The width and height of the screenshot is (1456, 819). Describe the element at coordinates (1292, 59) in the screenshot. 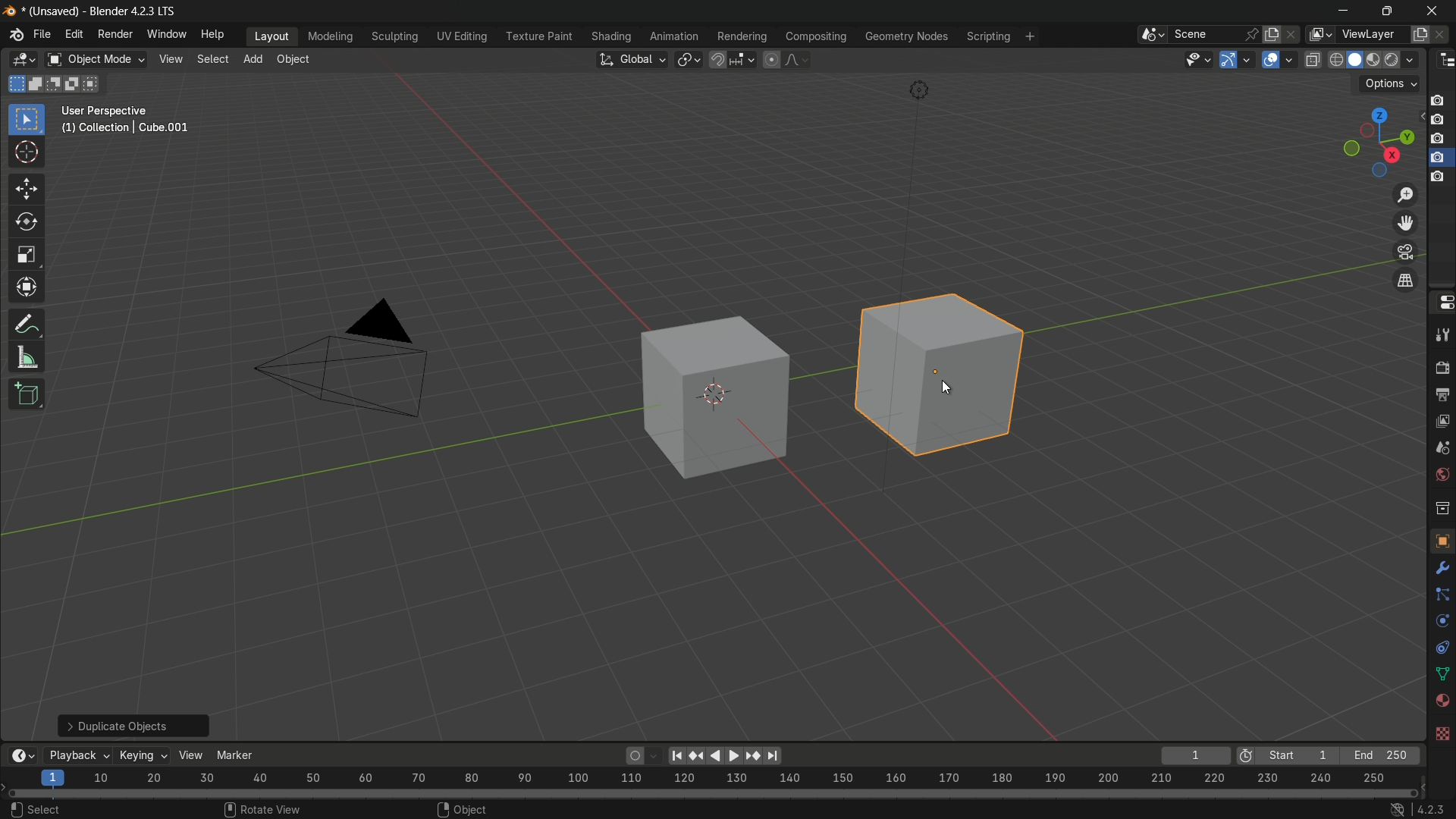

I see `overlay dropdown` at that location.